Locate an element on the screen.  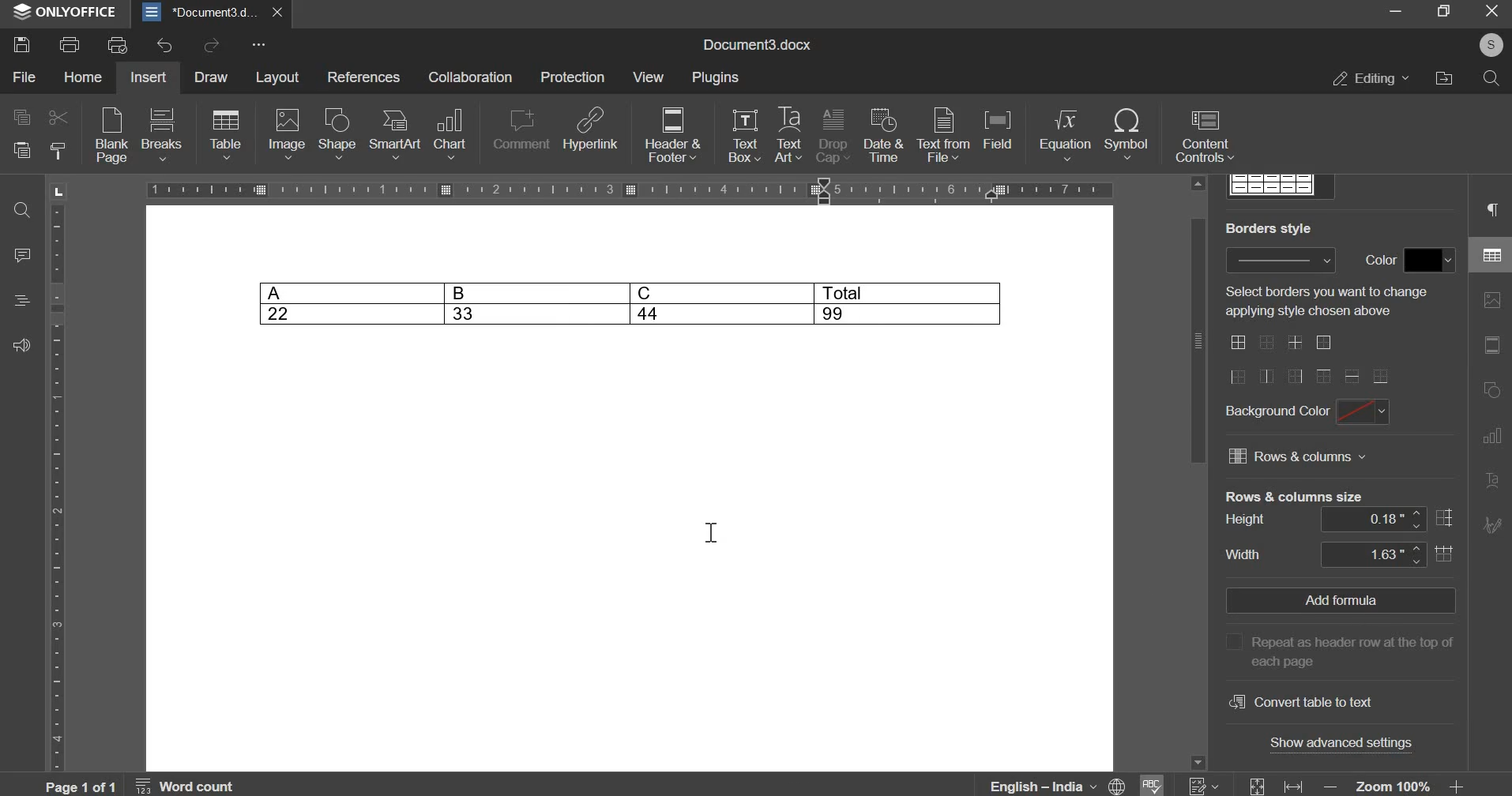
text from file is located at coordinates (942, 135).